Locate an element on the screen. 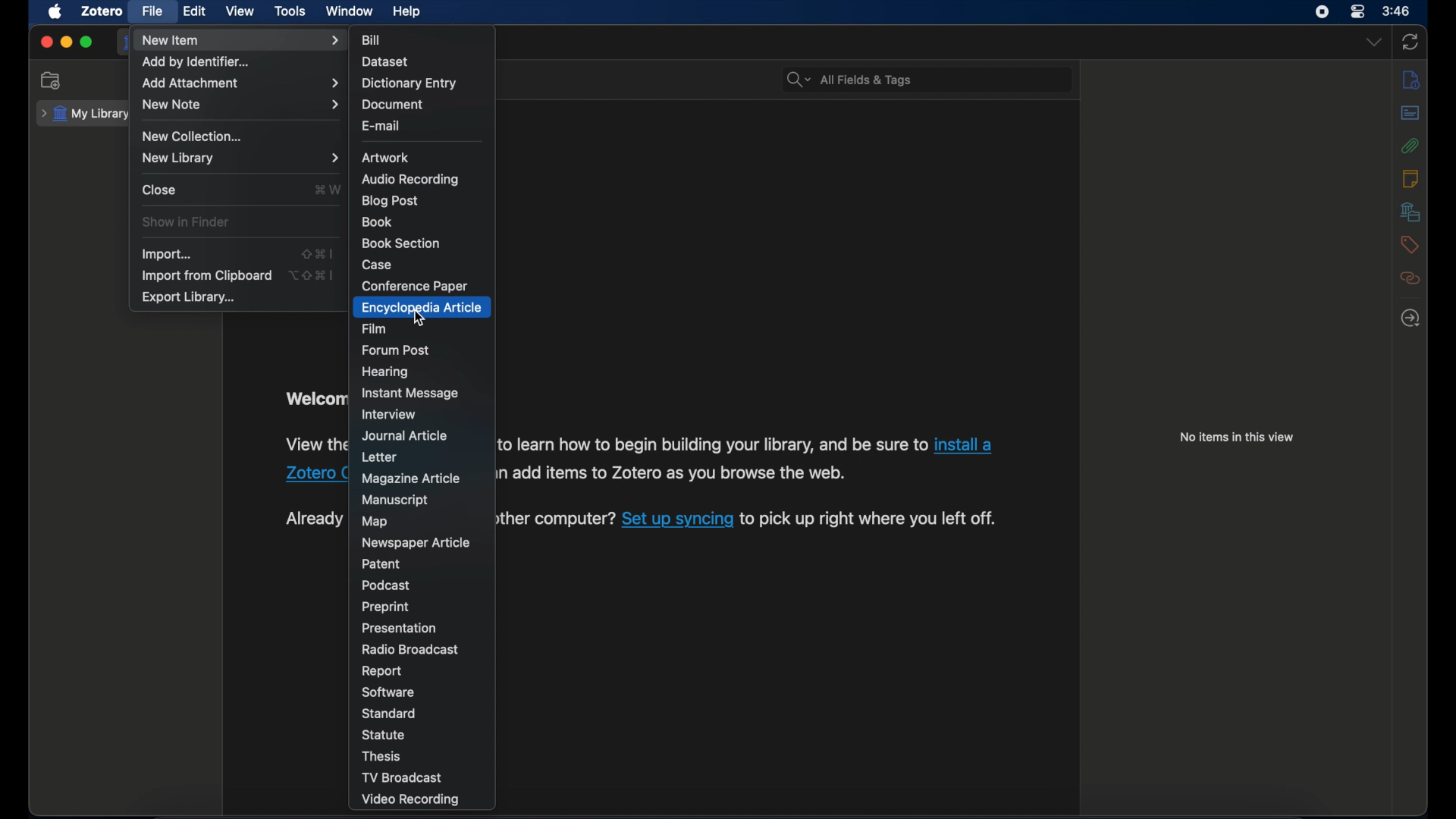 The width and height of the screenshot is (1456, 819). apple is located at coordinates (55, 11).